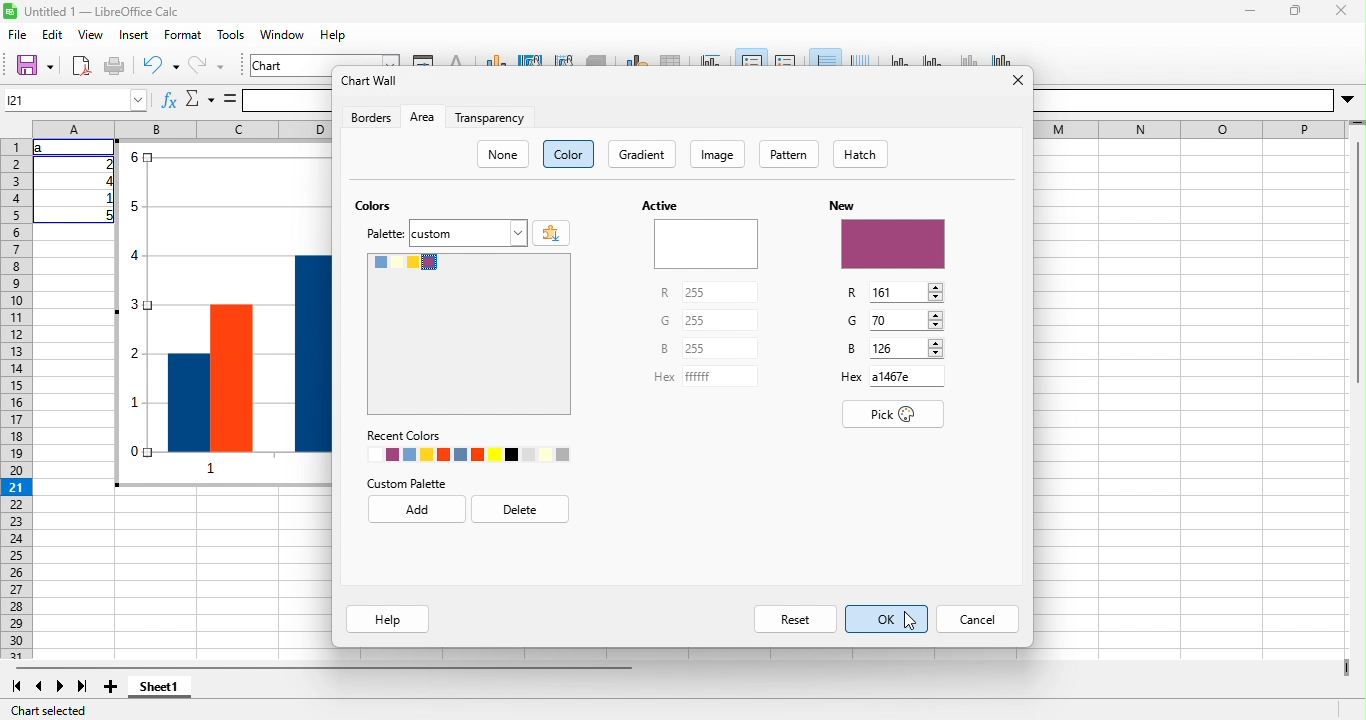  Describe the element at coordinates (786, 58) in the screenshot. I see `legend` at that location.